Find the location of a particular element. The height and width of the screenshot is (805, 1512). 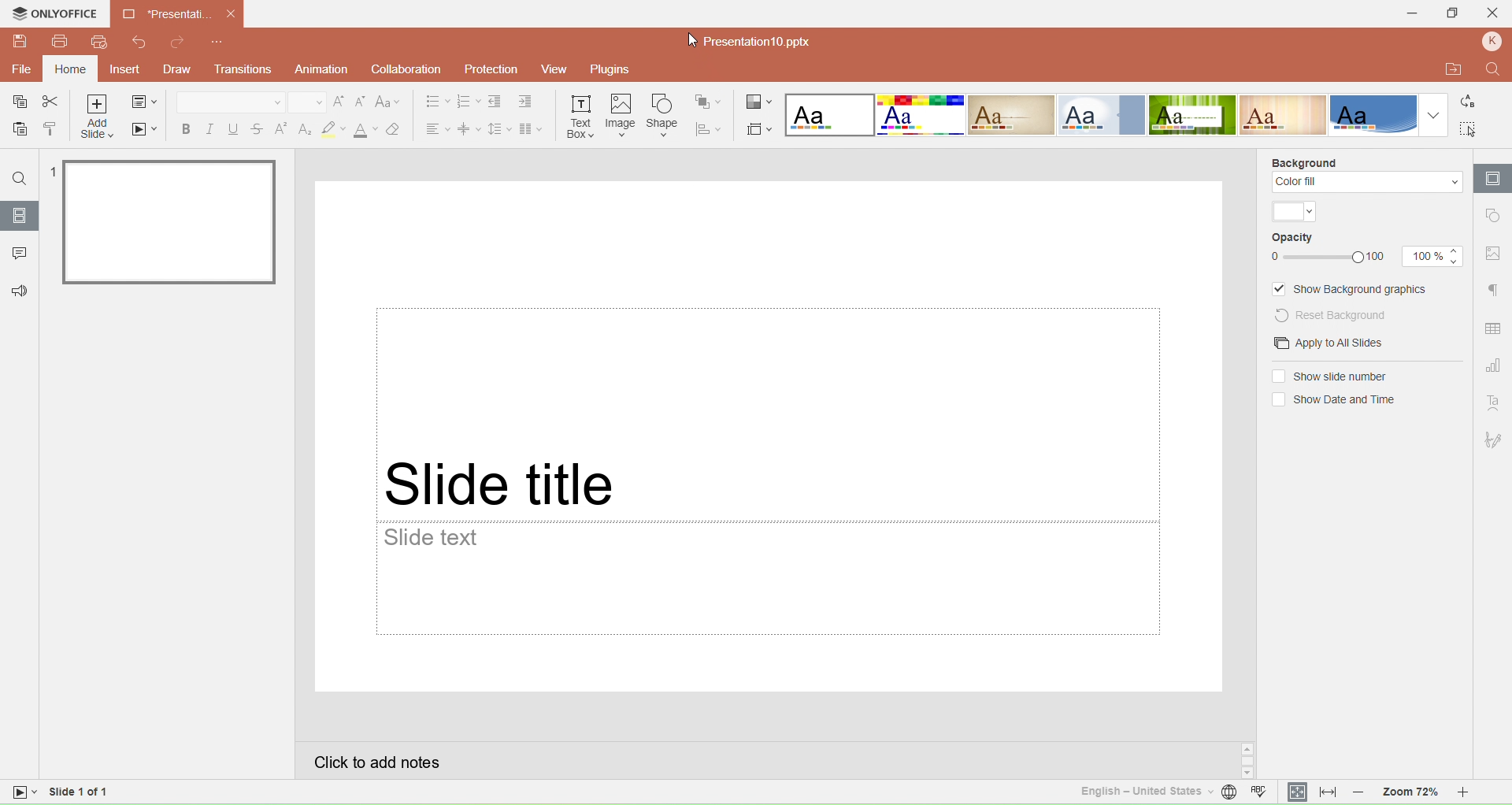

Decrement font size is located at coordinates (361, 102).